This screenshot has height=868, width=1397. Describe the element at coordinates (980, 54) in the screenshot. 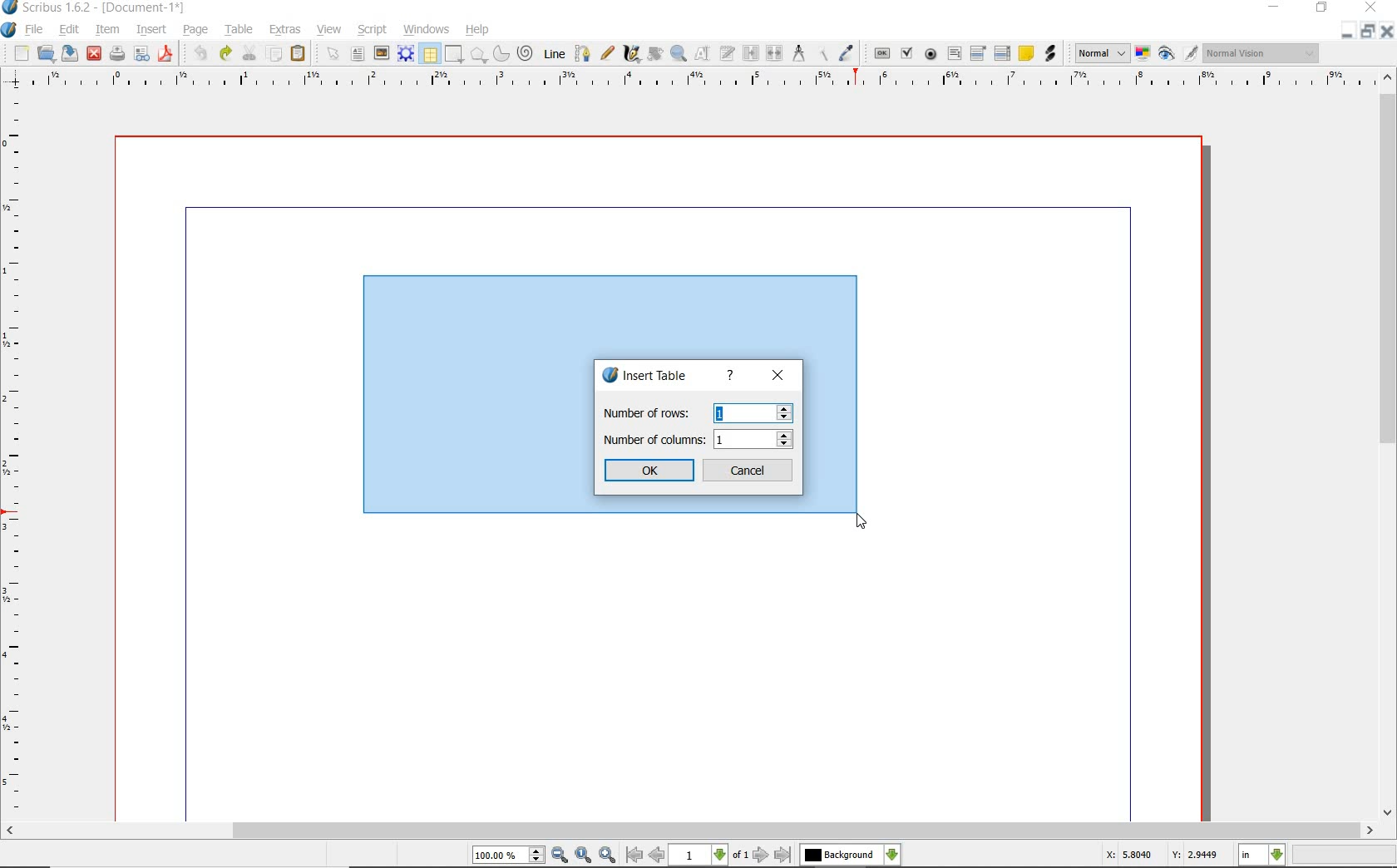

I see `pdf combo box` at that location.